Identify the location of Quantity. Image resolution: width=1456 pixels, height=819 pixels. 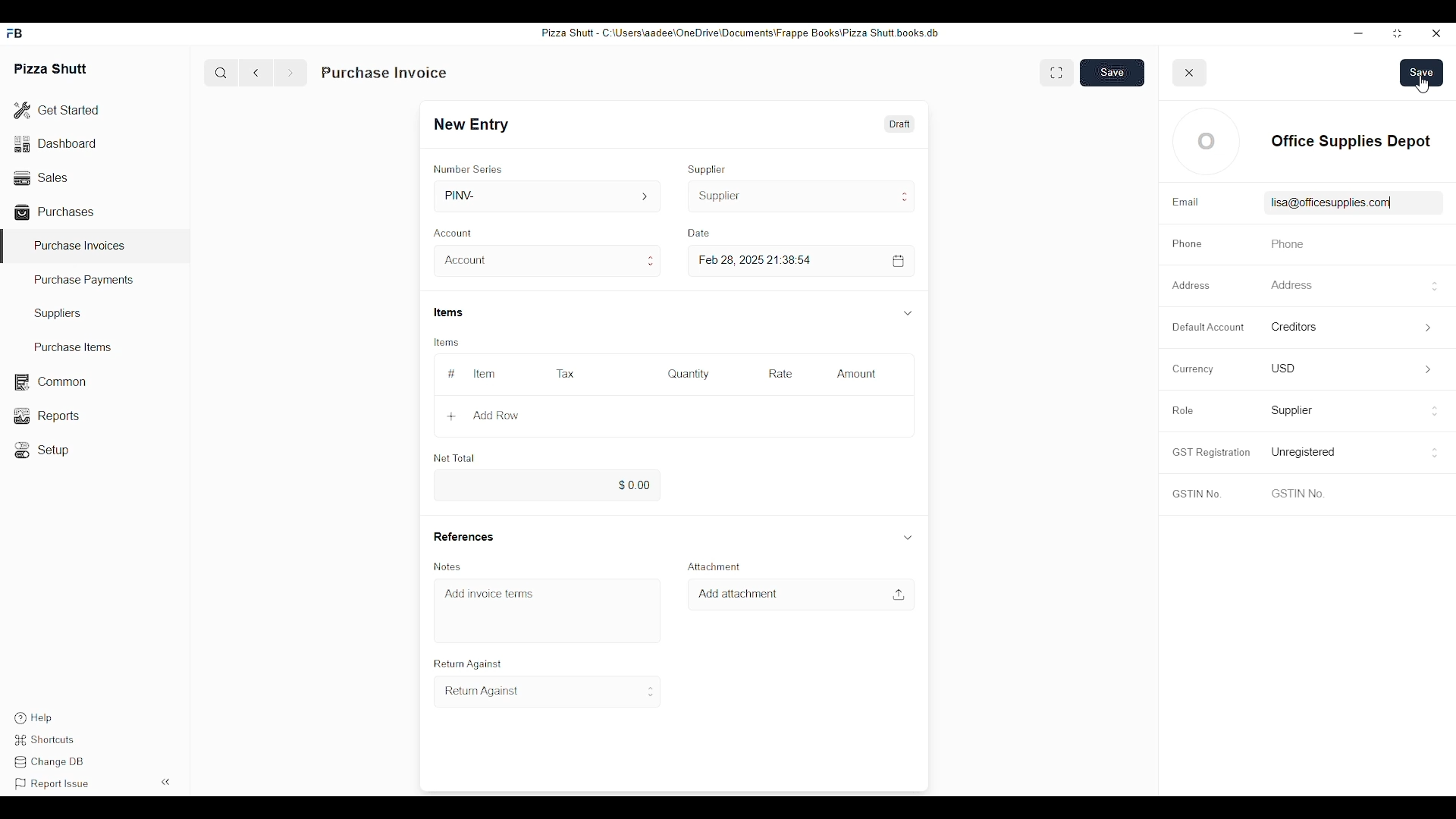
(688, 374).